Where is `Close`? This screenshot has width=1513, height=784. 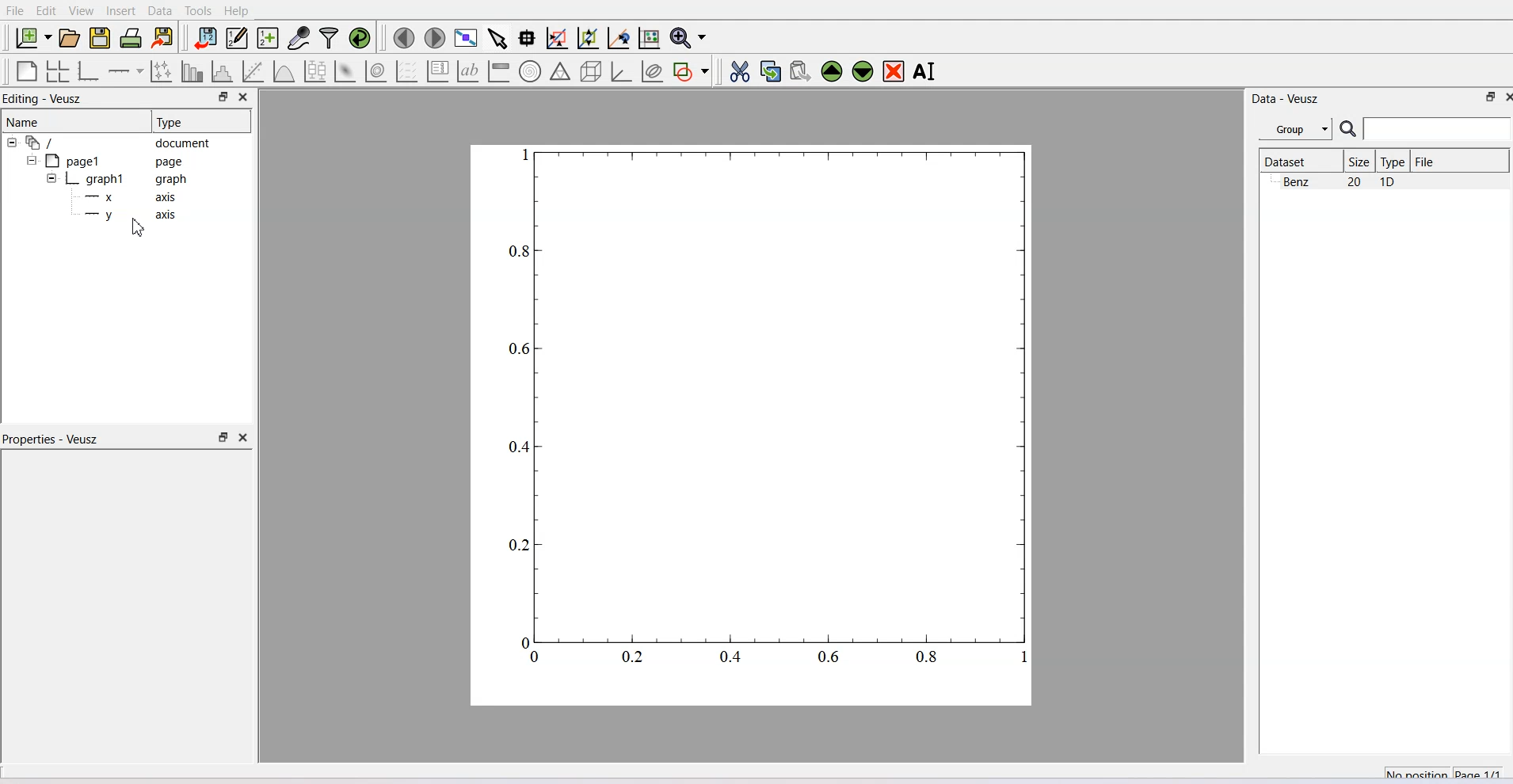
Close is located at coordinates (246, 97).